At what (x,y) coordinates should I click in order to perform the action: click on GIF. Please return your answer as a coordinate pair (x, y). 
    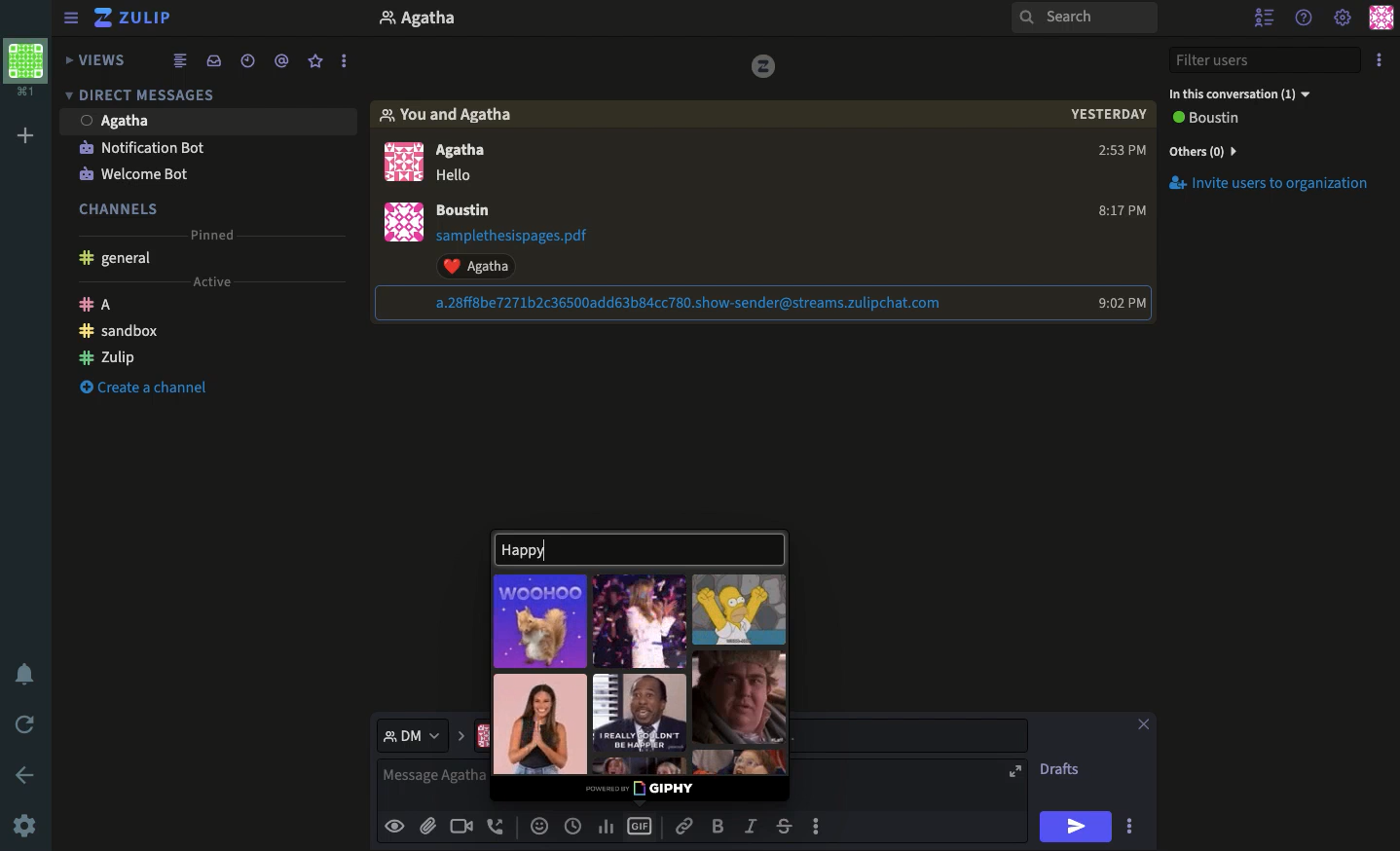
    Looking at the image, I should click on (641, 621).